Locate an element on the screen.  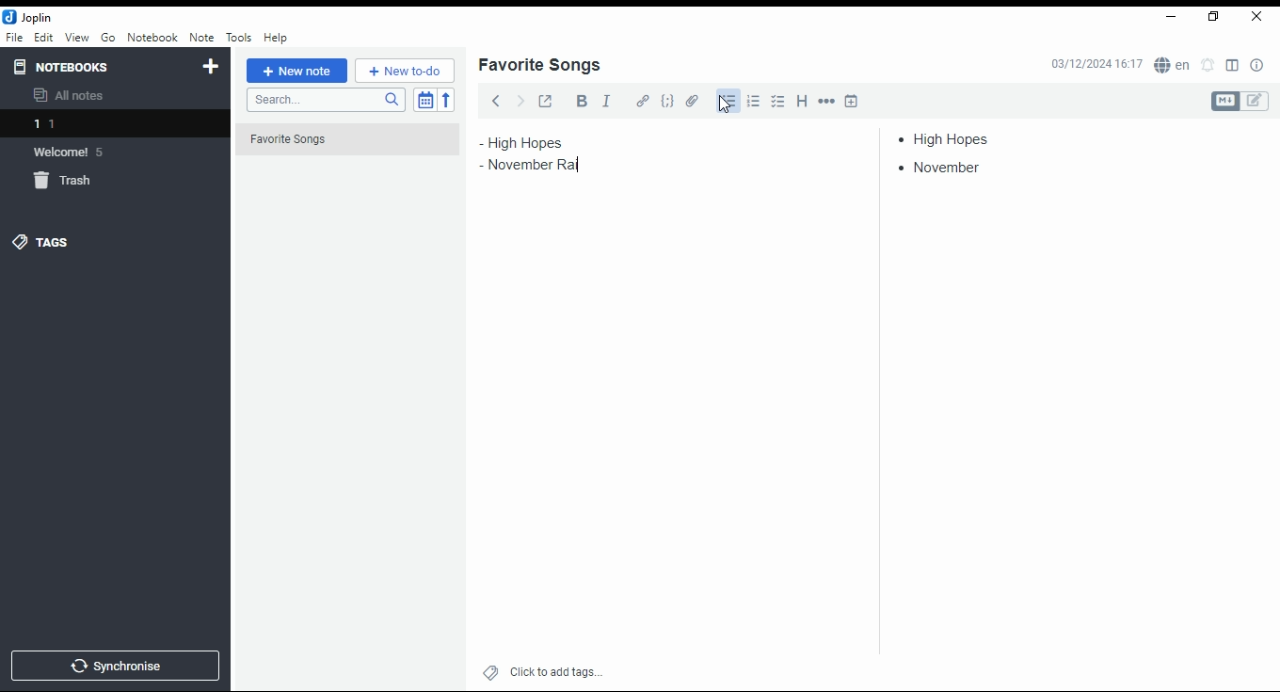
view is located at coordinates (77, 38).